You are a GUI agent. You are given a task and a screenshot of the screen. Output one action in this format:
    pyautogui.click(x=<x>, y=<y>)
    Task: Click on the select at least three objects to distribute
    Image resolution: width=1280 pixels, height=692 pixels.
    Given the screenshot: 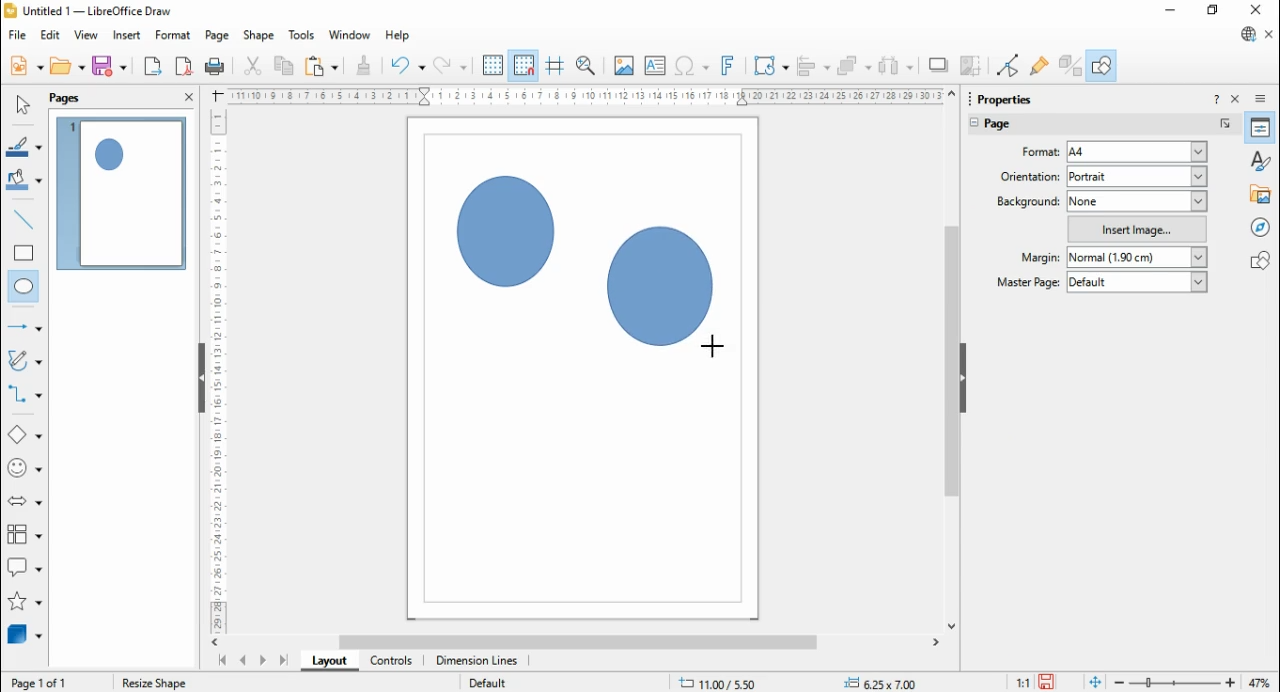 What is the action you would take?
    pyautogui.click(x=896, y=67)
    